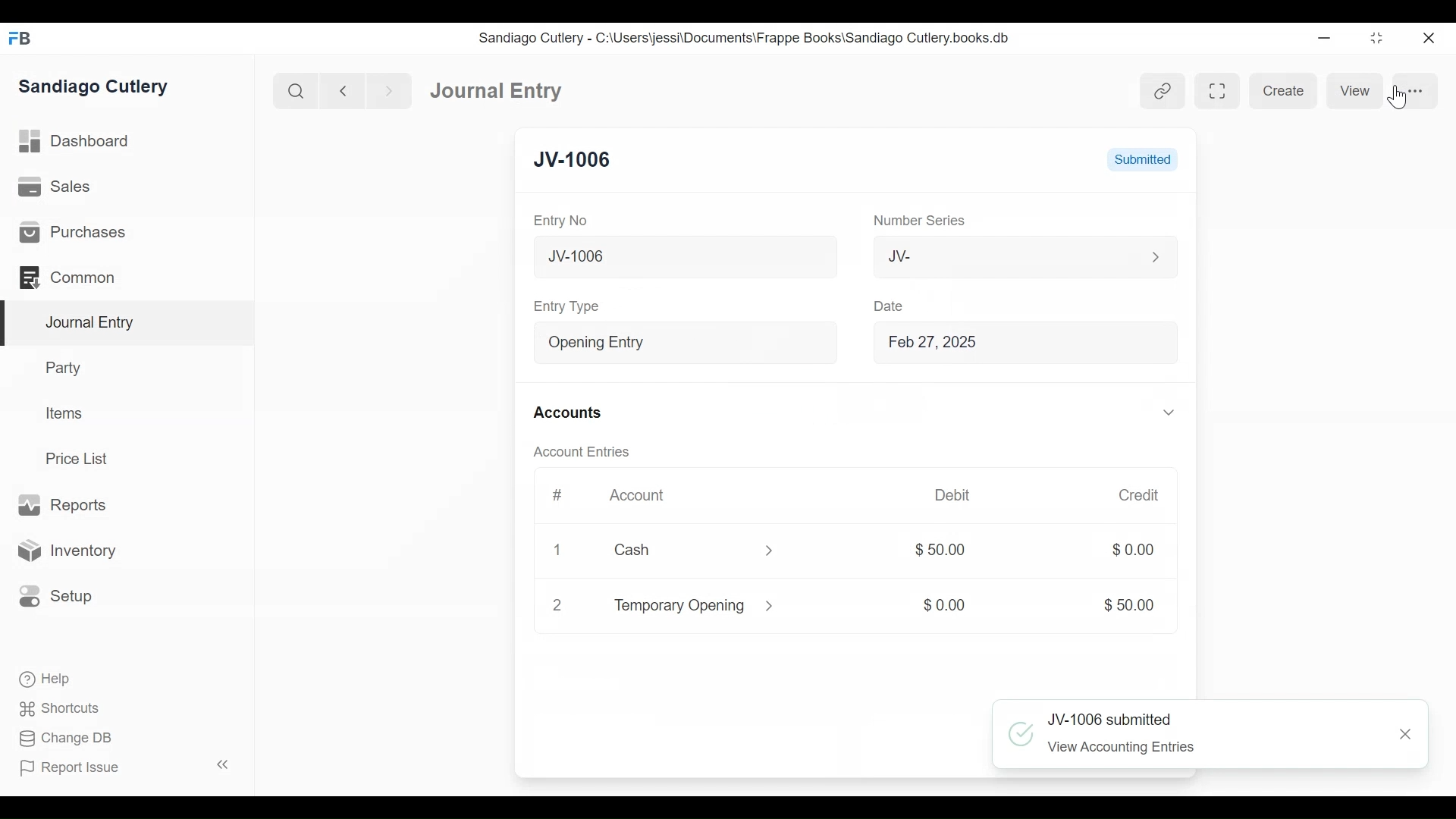 This screenshot has height=819, width=1456. What do you see at coordinates (940, 550) in the screenshot?
I see `$50.00` at bounding box center [940, 550].